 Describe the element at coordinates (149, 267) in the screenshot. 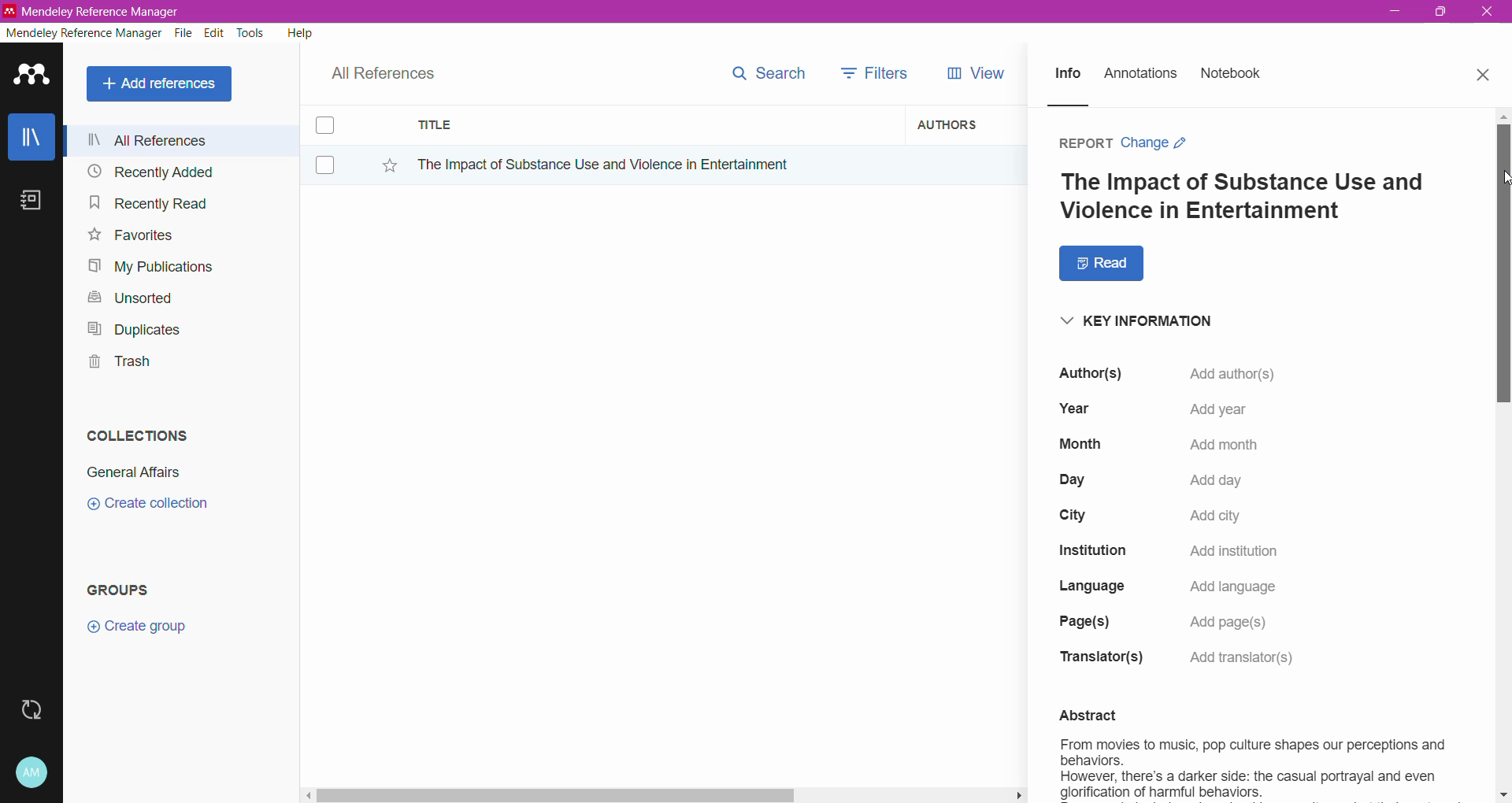

I see `My Publications` at that location.